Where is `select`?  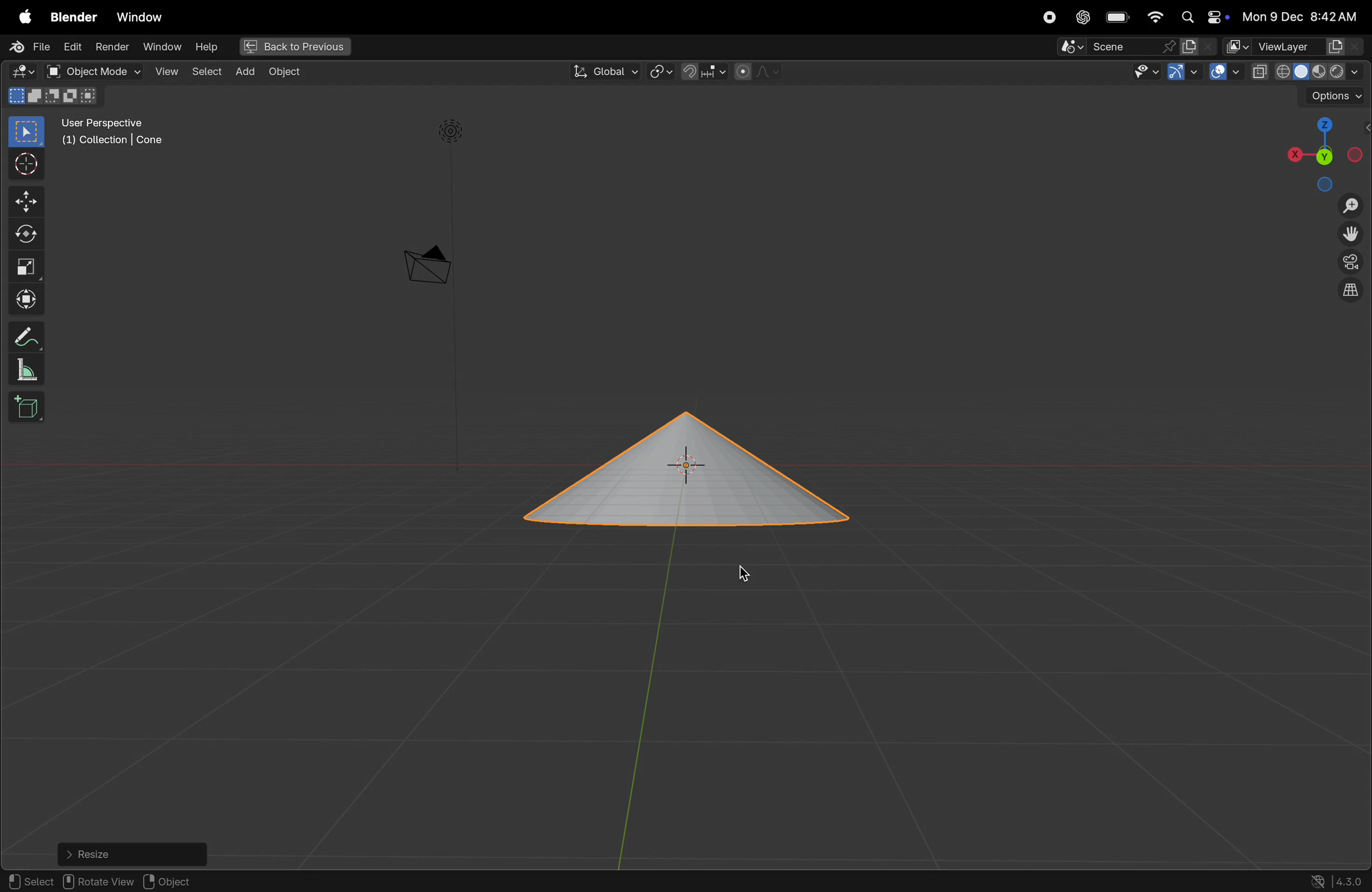 select is located at coordinates (207, 73).